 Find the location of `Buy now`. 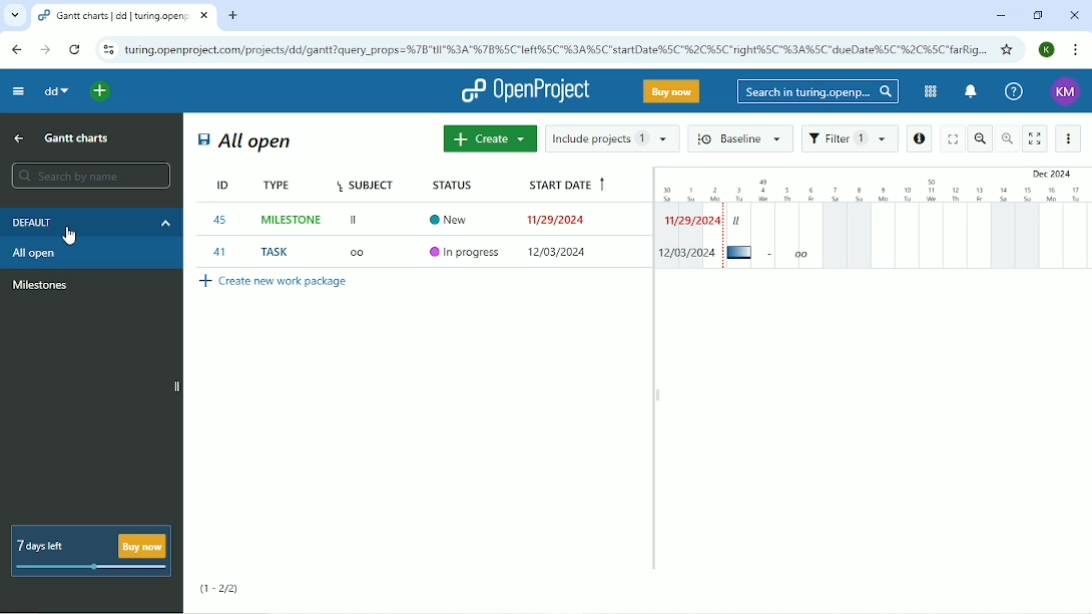

Buy now is located at coordinates (671, 91).